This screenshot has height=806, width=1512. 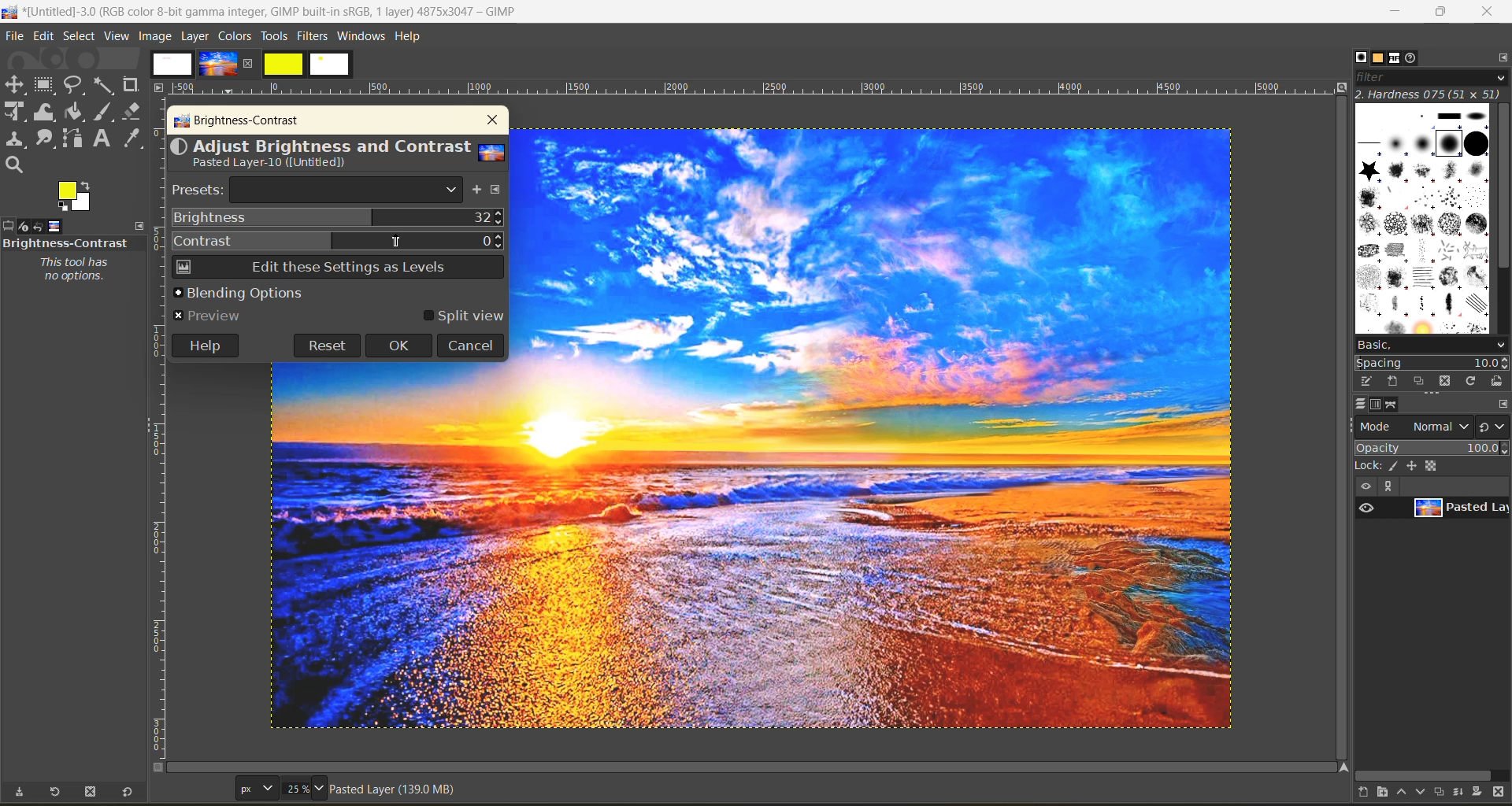 What do you see at coordinates (1414, 426) in the screenshot?
I see `mode` at bounding box center [1414, 426].